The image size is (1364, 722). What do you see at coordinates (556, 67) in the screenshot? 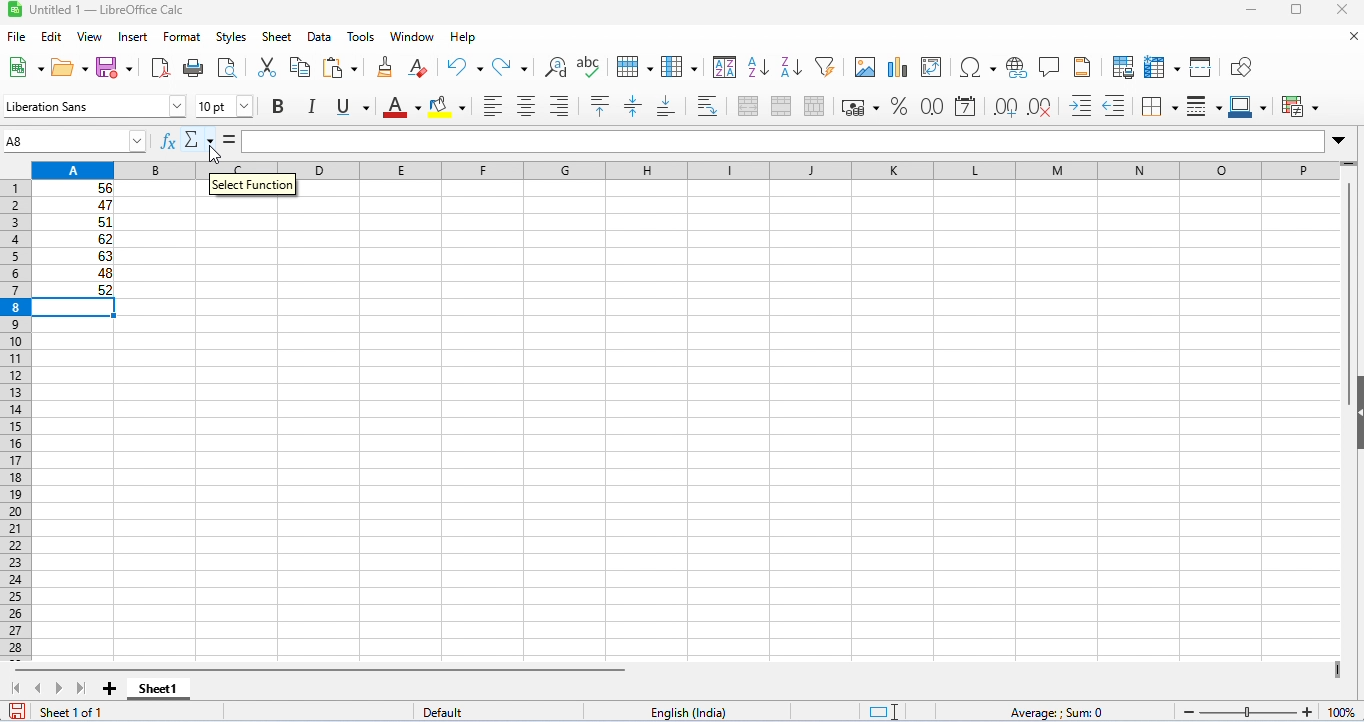
I see `find and replace` at bounding box center [556, 67].